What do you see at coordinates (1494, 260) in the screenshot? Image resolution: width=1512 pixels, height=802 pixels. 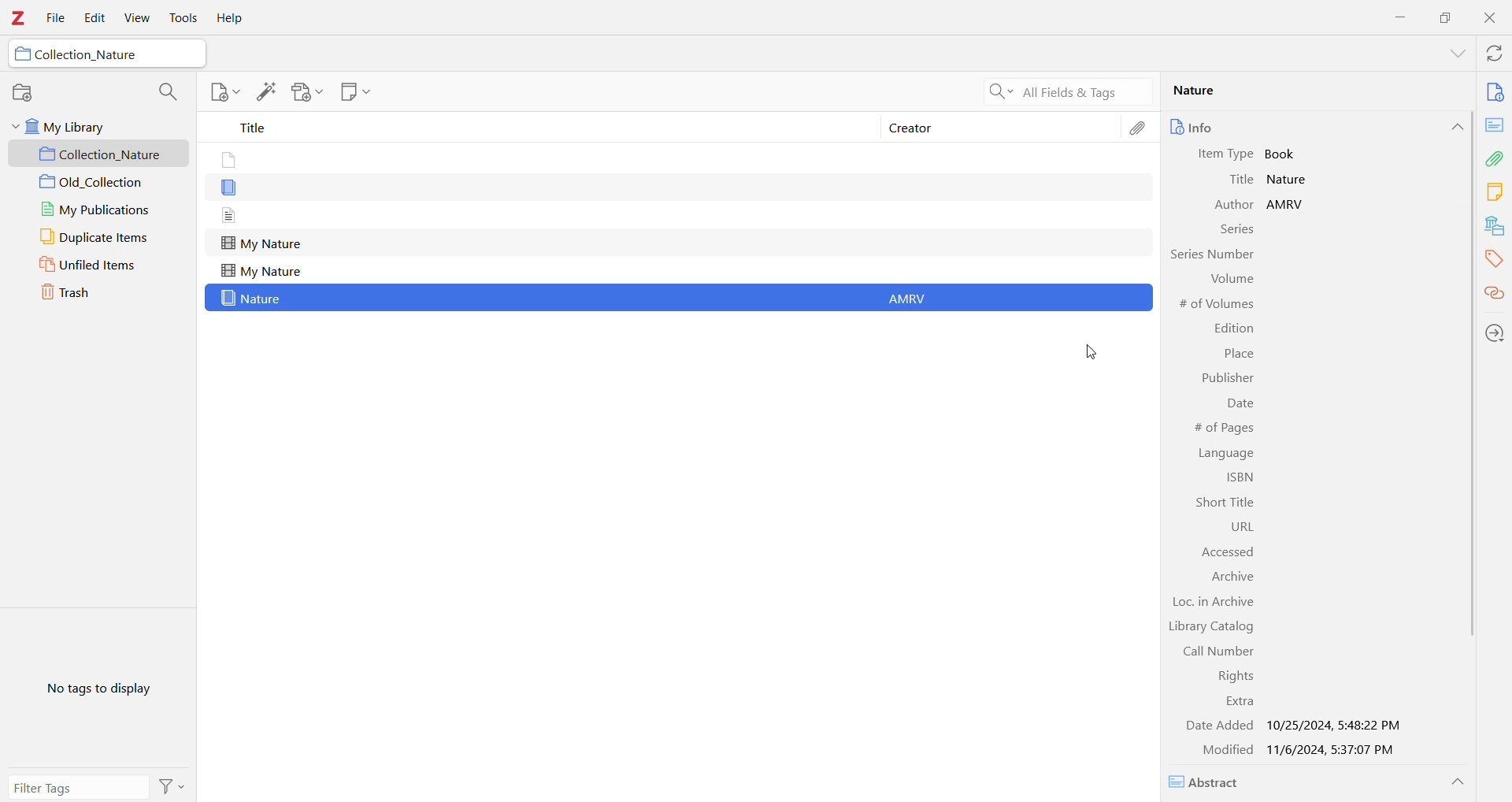 I see `Tags` at bounding box center [1494, 260].